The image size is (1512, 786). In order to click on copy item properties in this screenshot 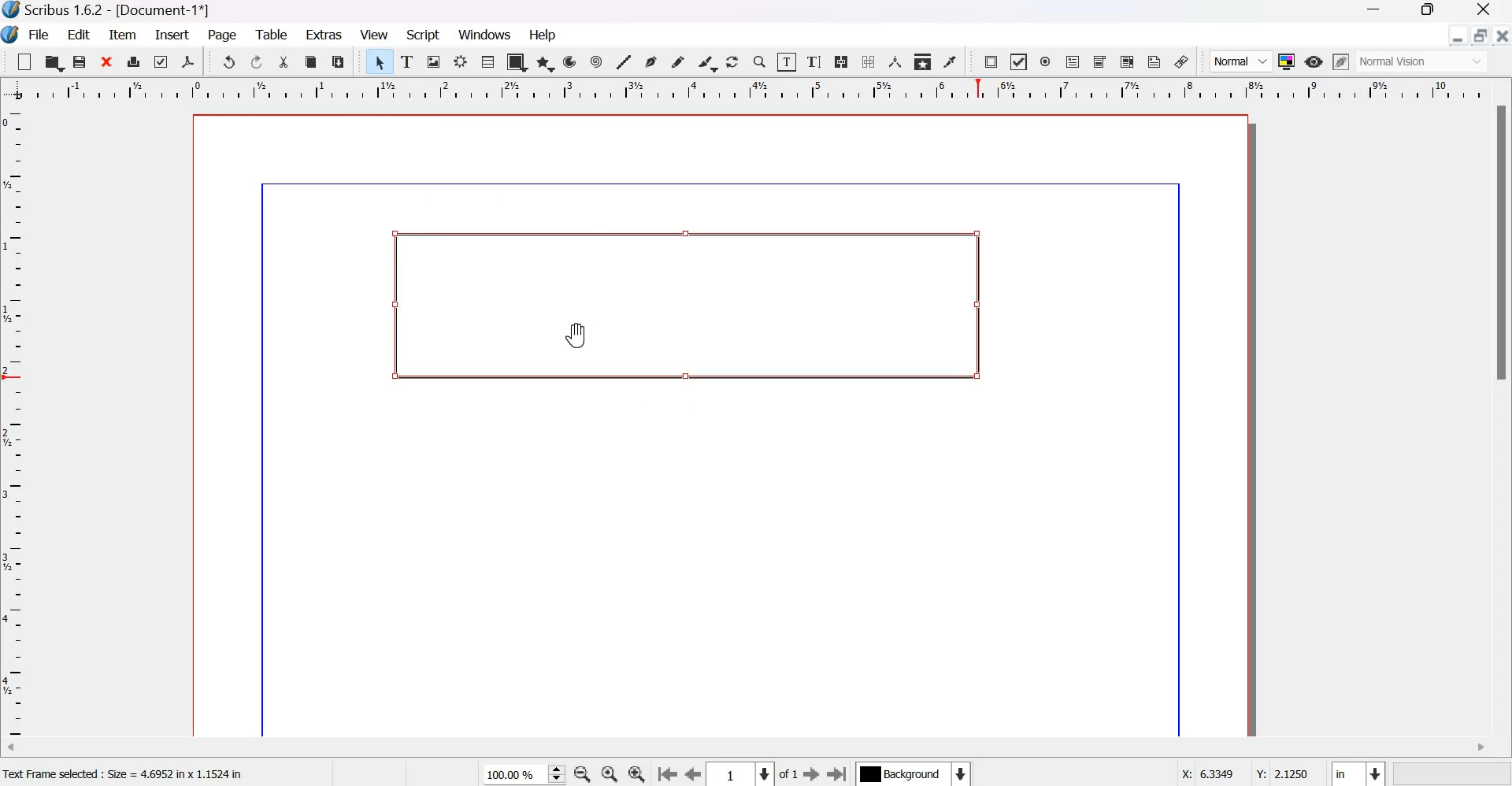, I will do `click(923, 61)`.